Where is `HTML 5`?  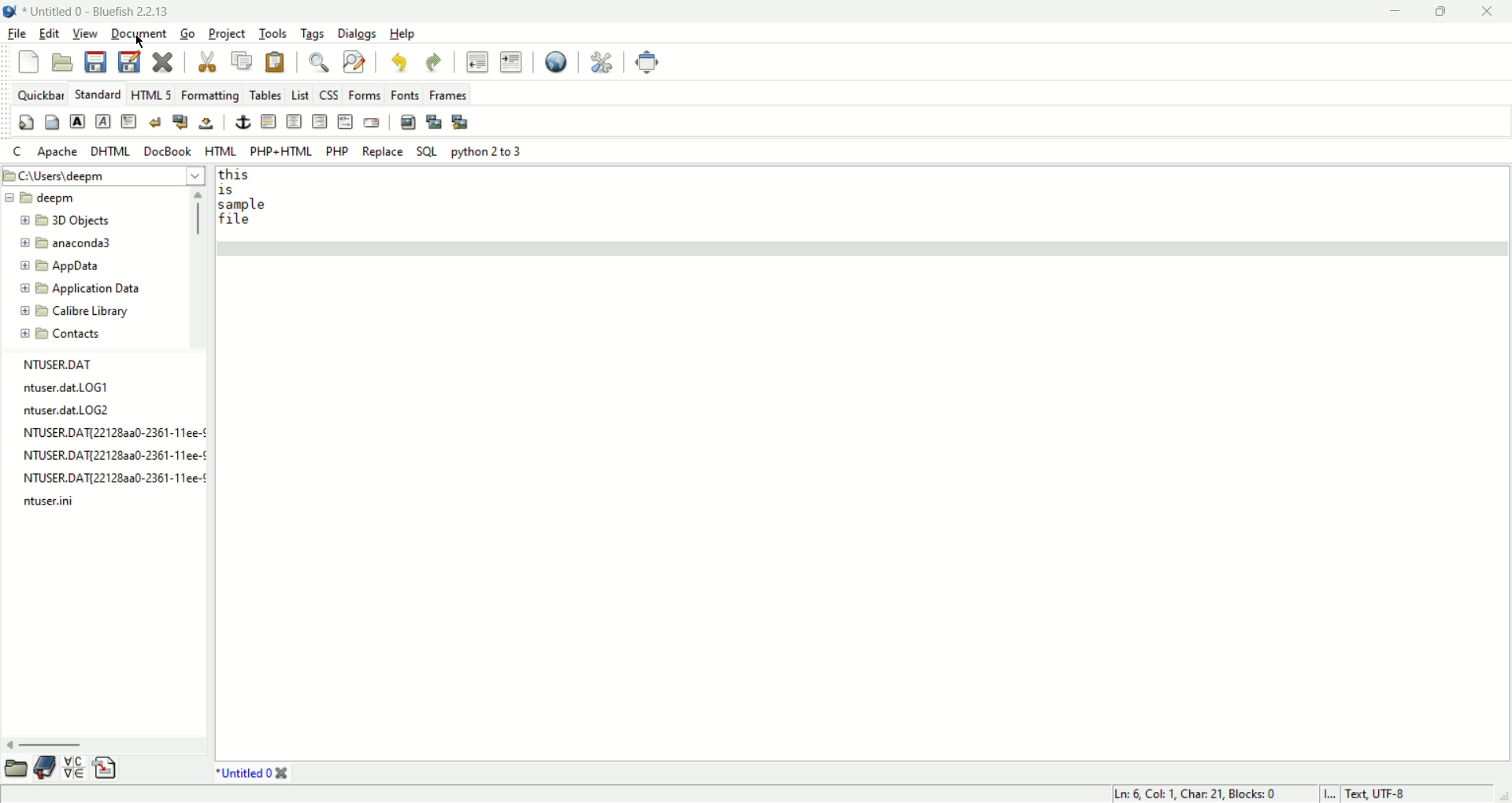
HTML 5 is located at coordinates (151, 94).